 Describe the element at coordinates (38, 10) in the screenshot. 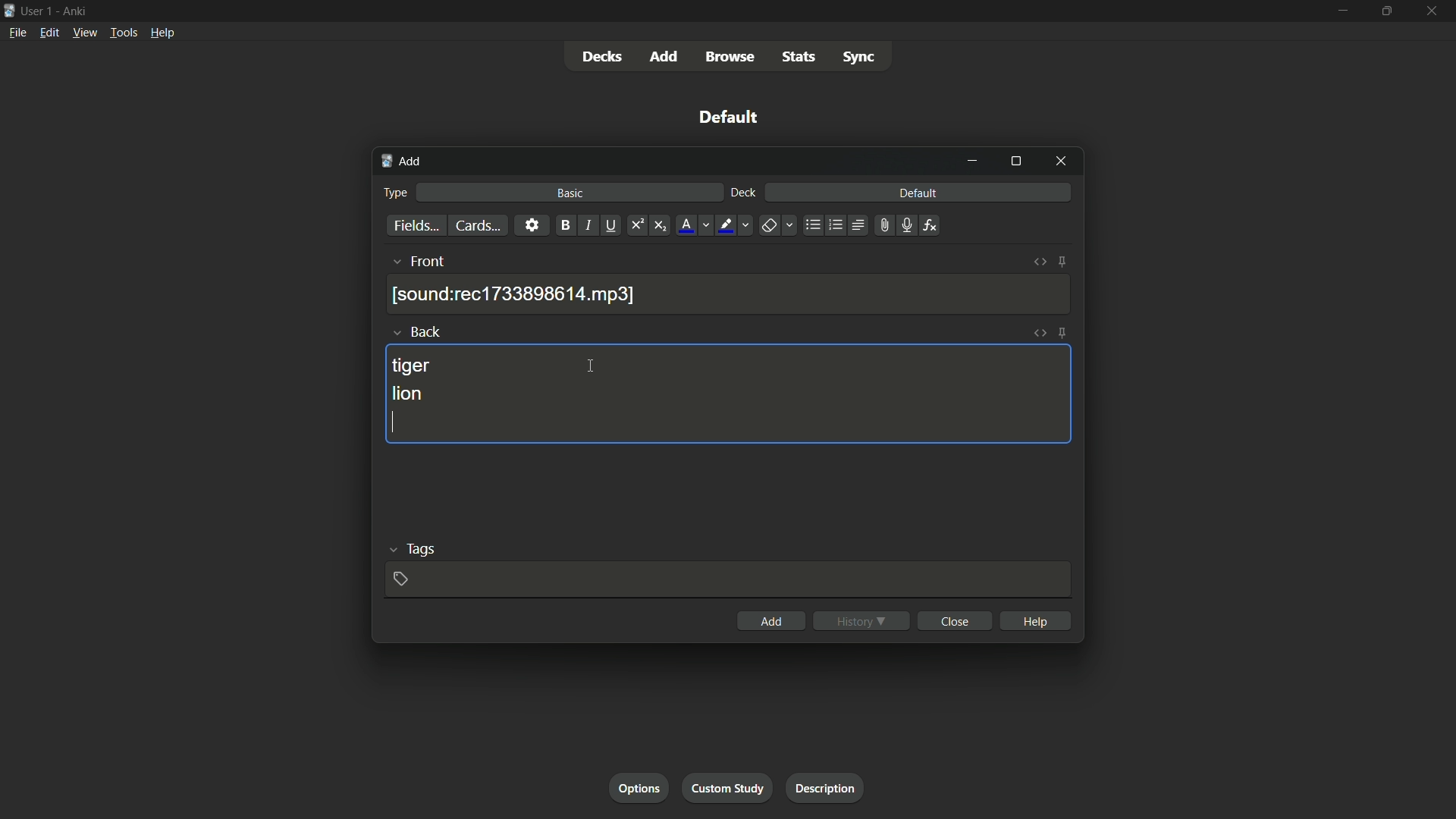

I see `user 1` at that location.